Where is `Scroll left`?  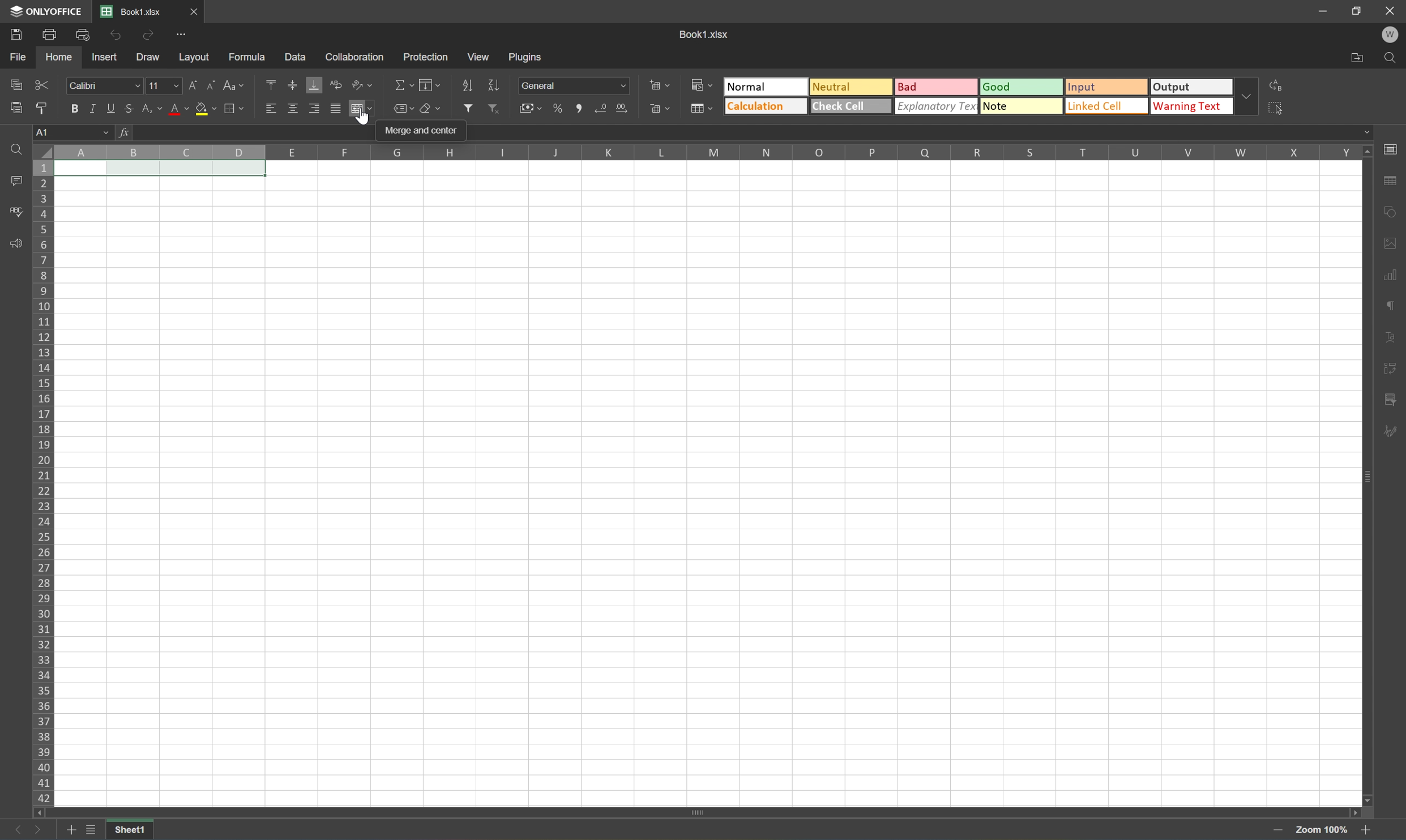 Scroll left is located at coordinates (39, 813).